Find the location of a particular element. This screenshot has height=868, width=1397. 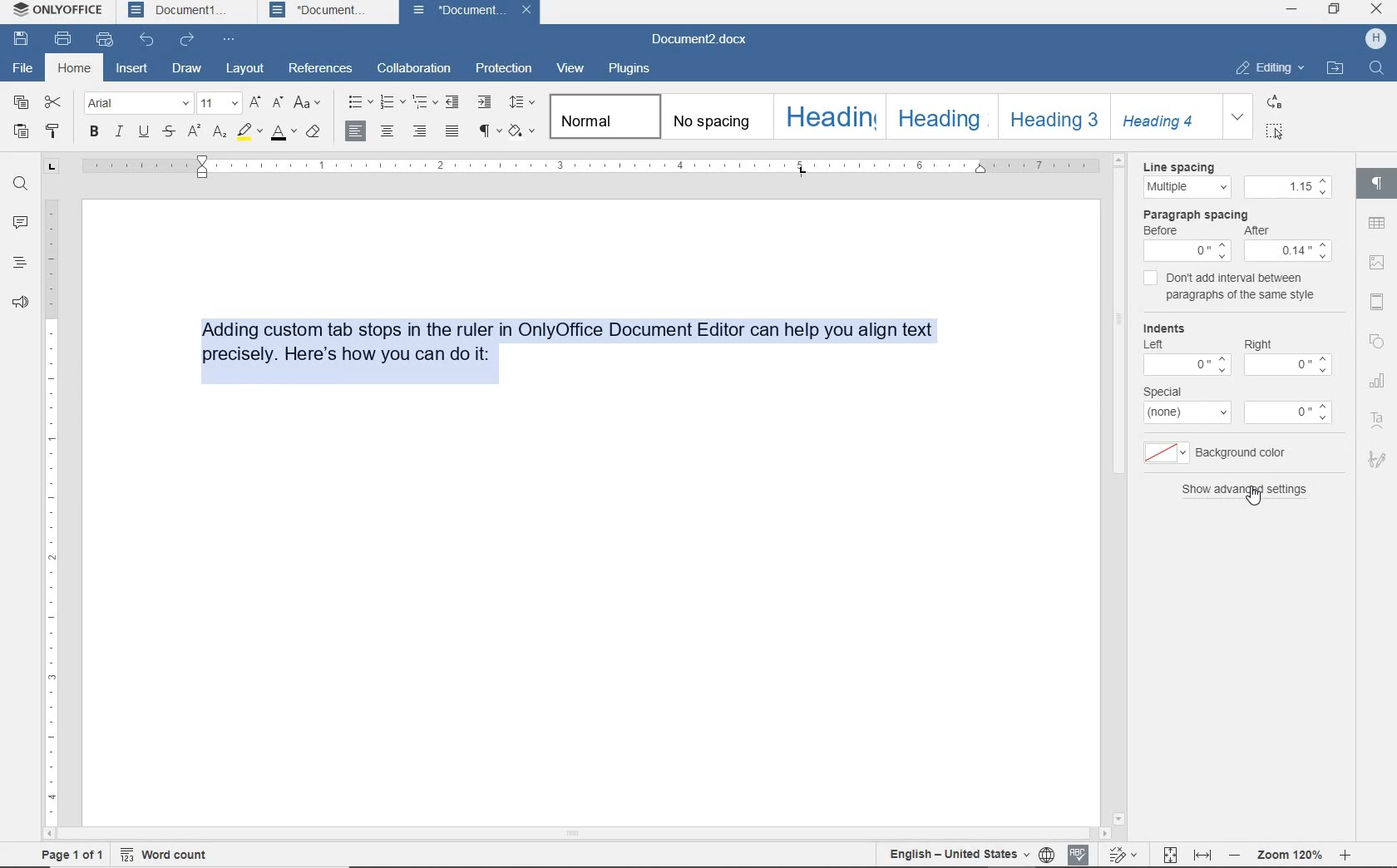

redo is located at coordinates (188, 42).